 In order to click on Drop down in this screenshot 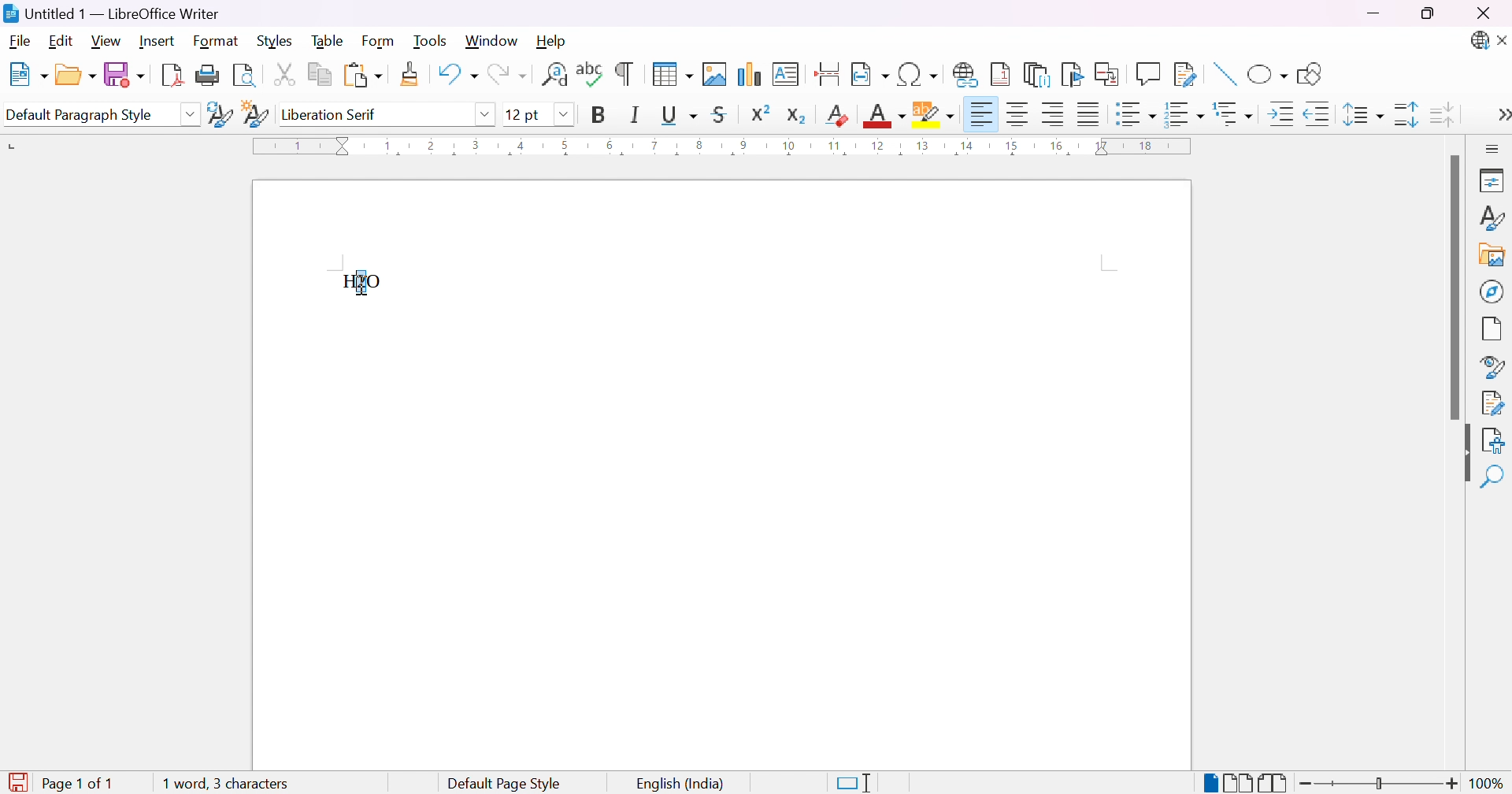, I will do `click(190, 114)`.